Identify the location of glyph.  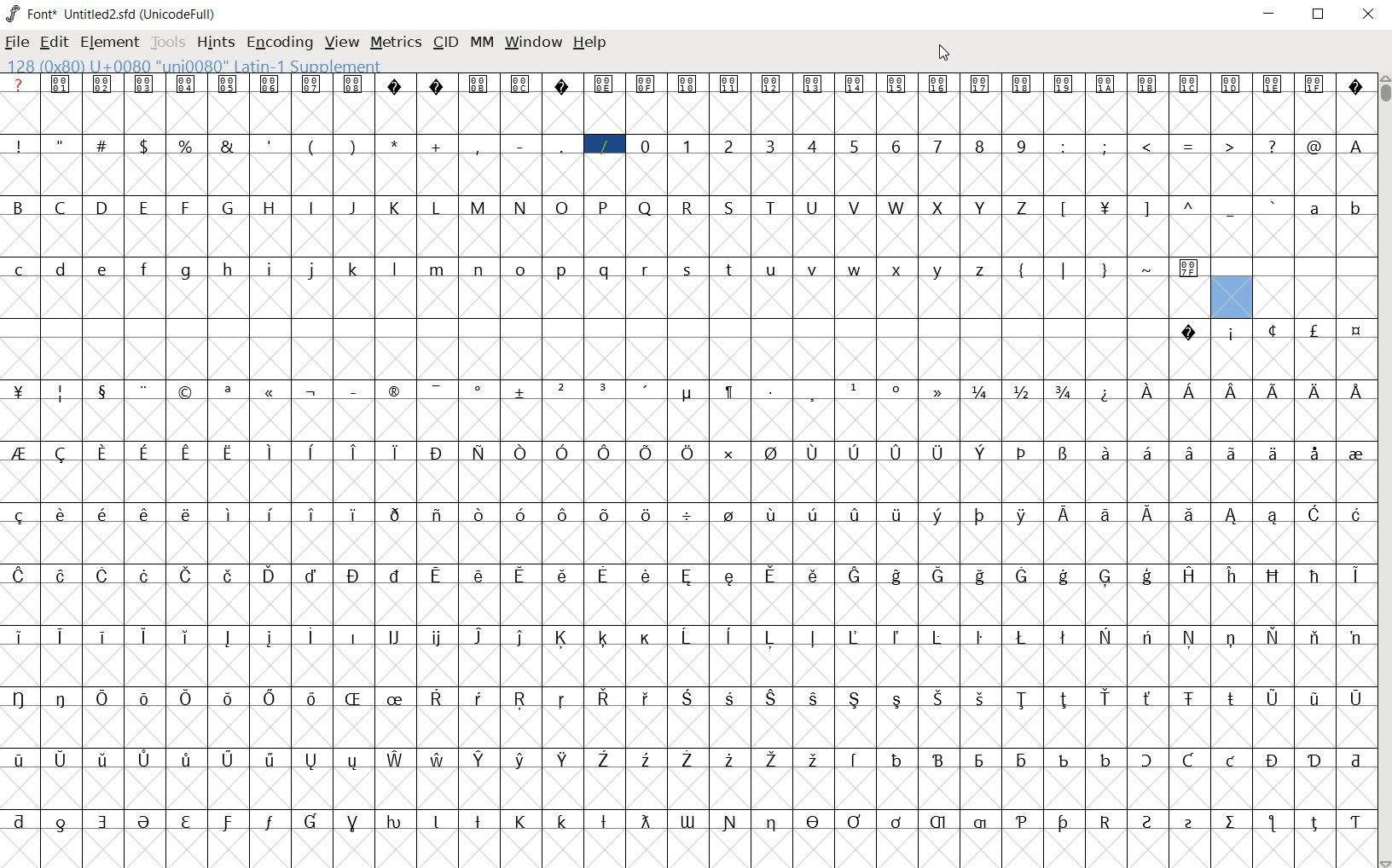
(604, 822).